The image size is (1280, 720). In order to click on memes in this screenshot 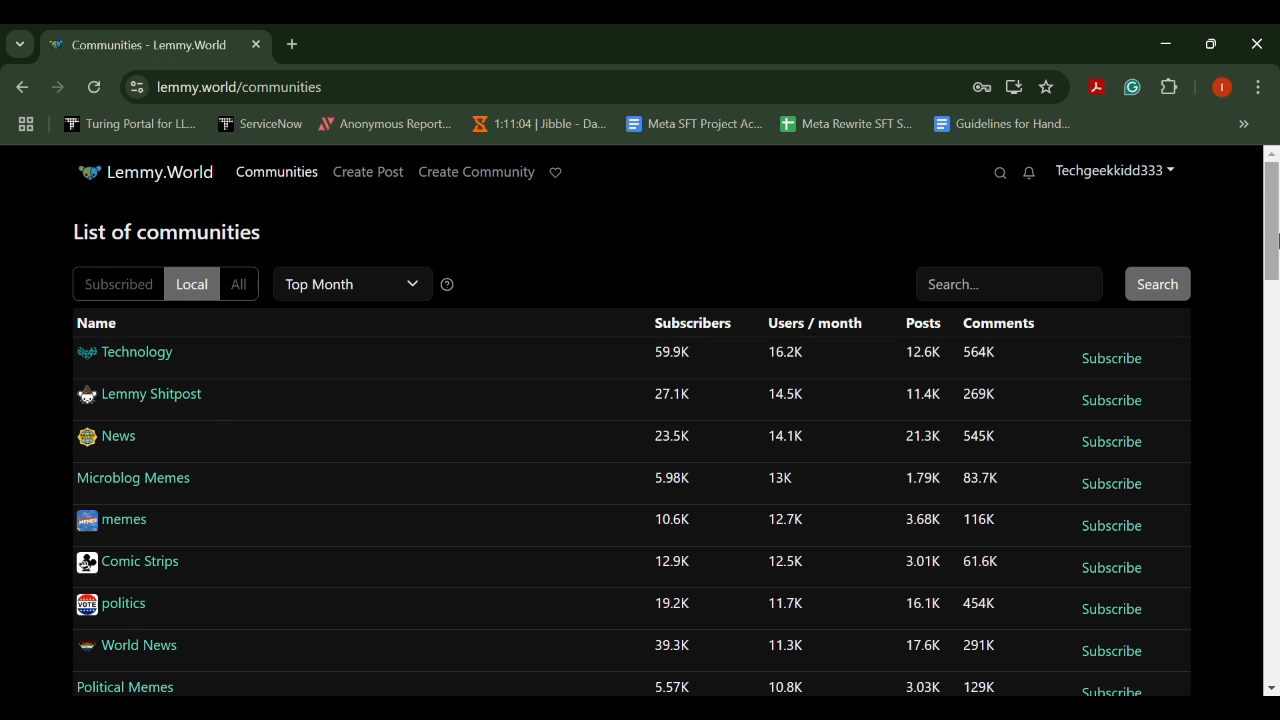, I will do `click(114, 521)`.